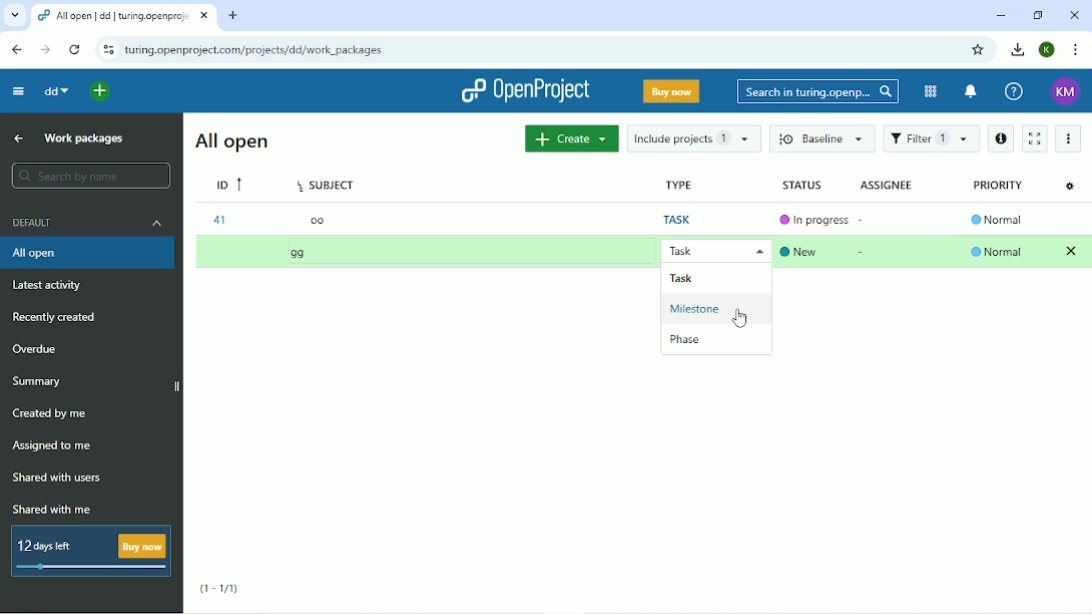  What do you see at coordinates (971, 92) in the screenshot?
I see `To notification center` at bounding box center [971, 92].